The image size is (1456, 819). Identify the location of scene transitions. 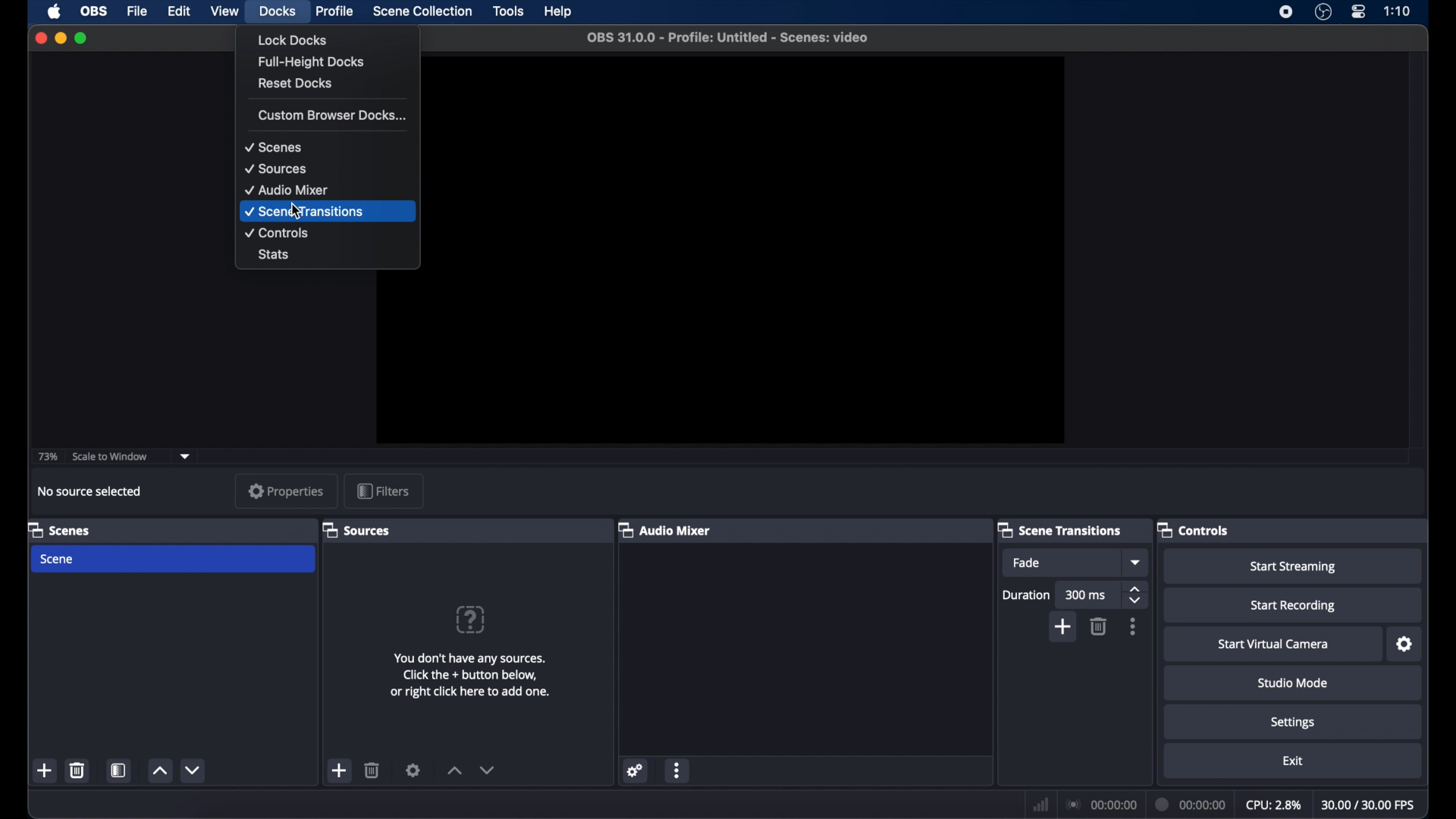
(306, 212).